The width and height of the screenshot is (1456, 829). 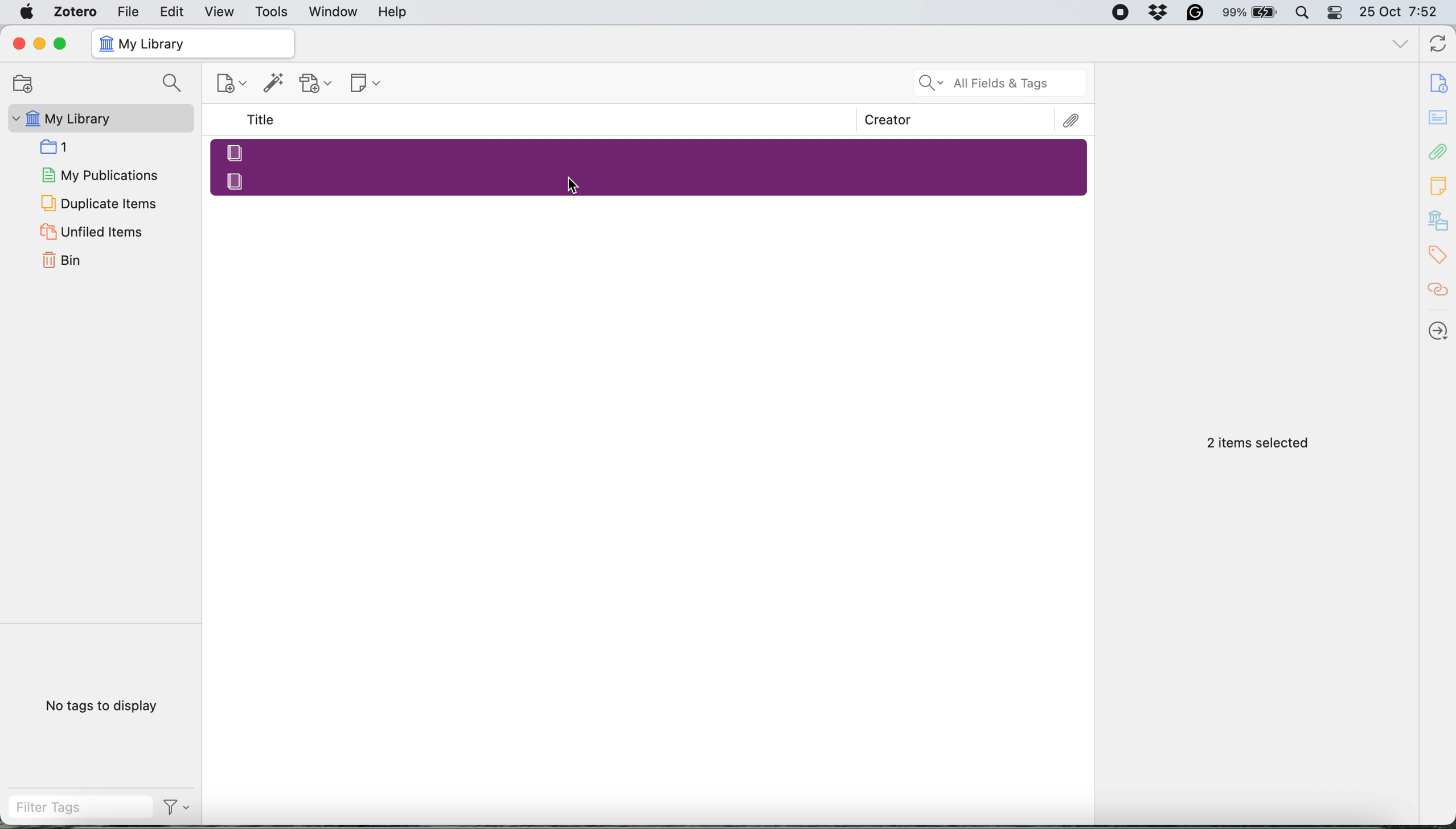 I want to click on Creator, so click(x=888, y=120).